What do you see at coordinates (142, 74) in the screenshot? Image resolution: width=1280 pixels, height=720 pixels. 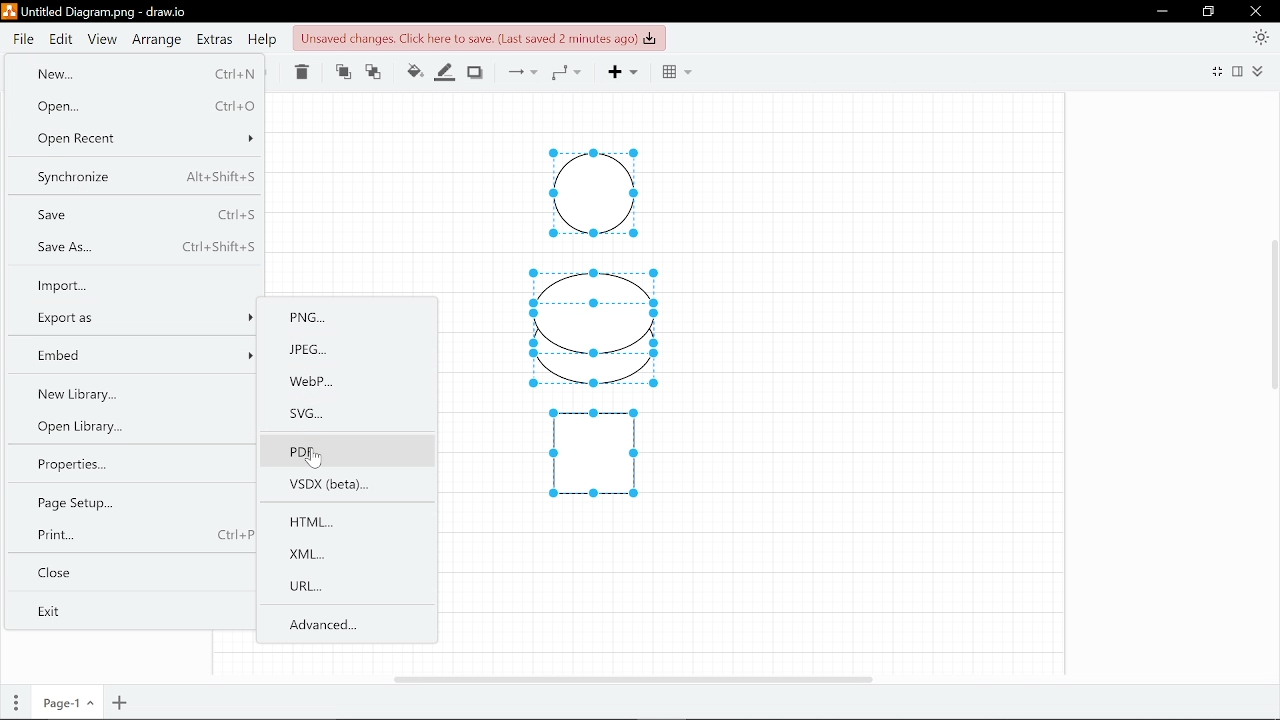 I see `New` at bounding box center [142, 74].